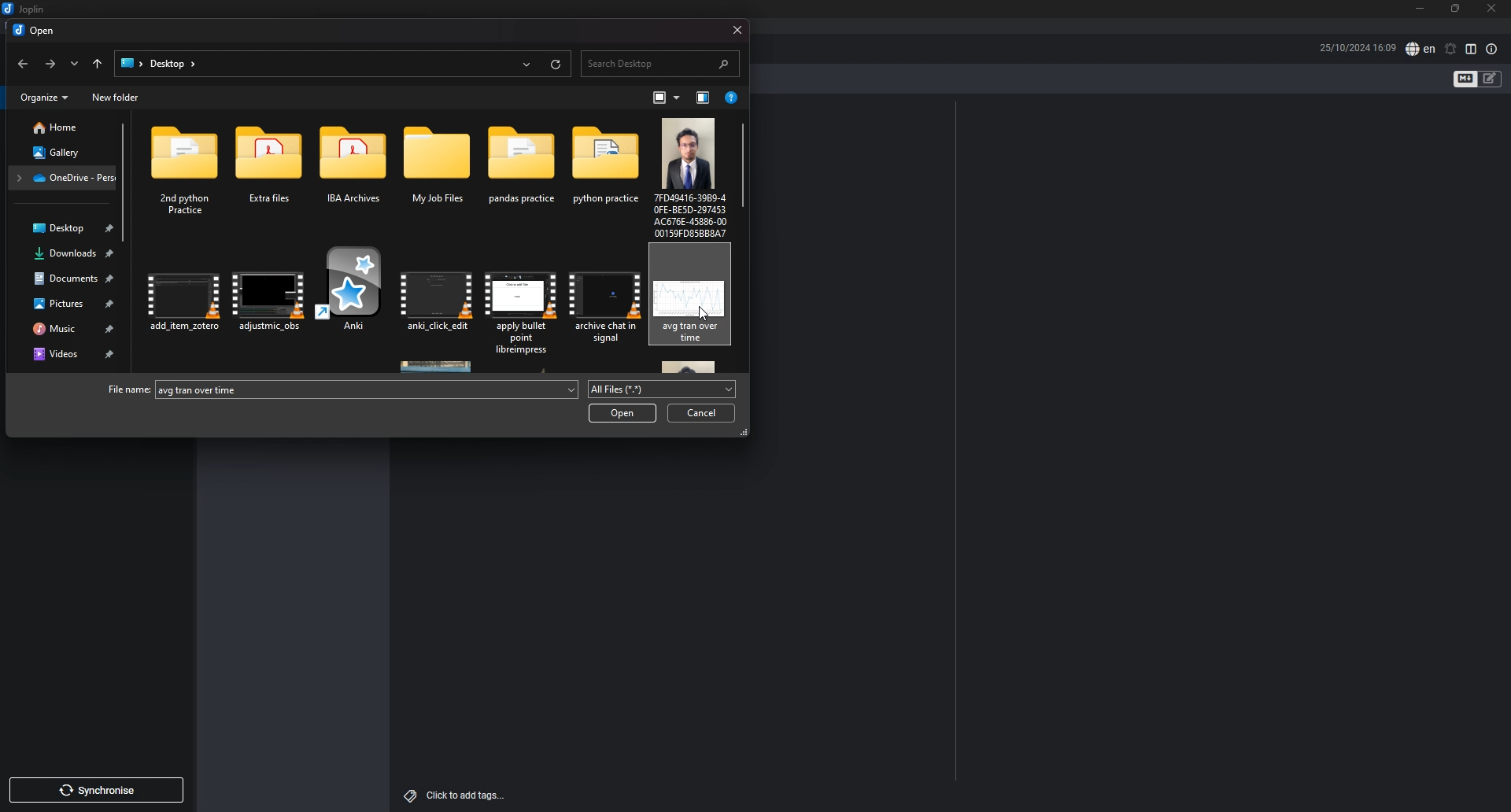 The width and height of the screenshot is (1511, 812). I want to click on pictures, so click(68, 303).